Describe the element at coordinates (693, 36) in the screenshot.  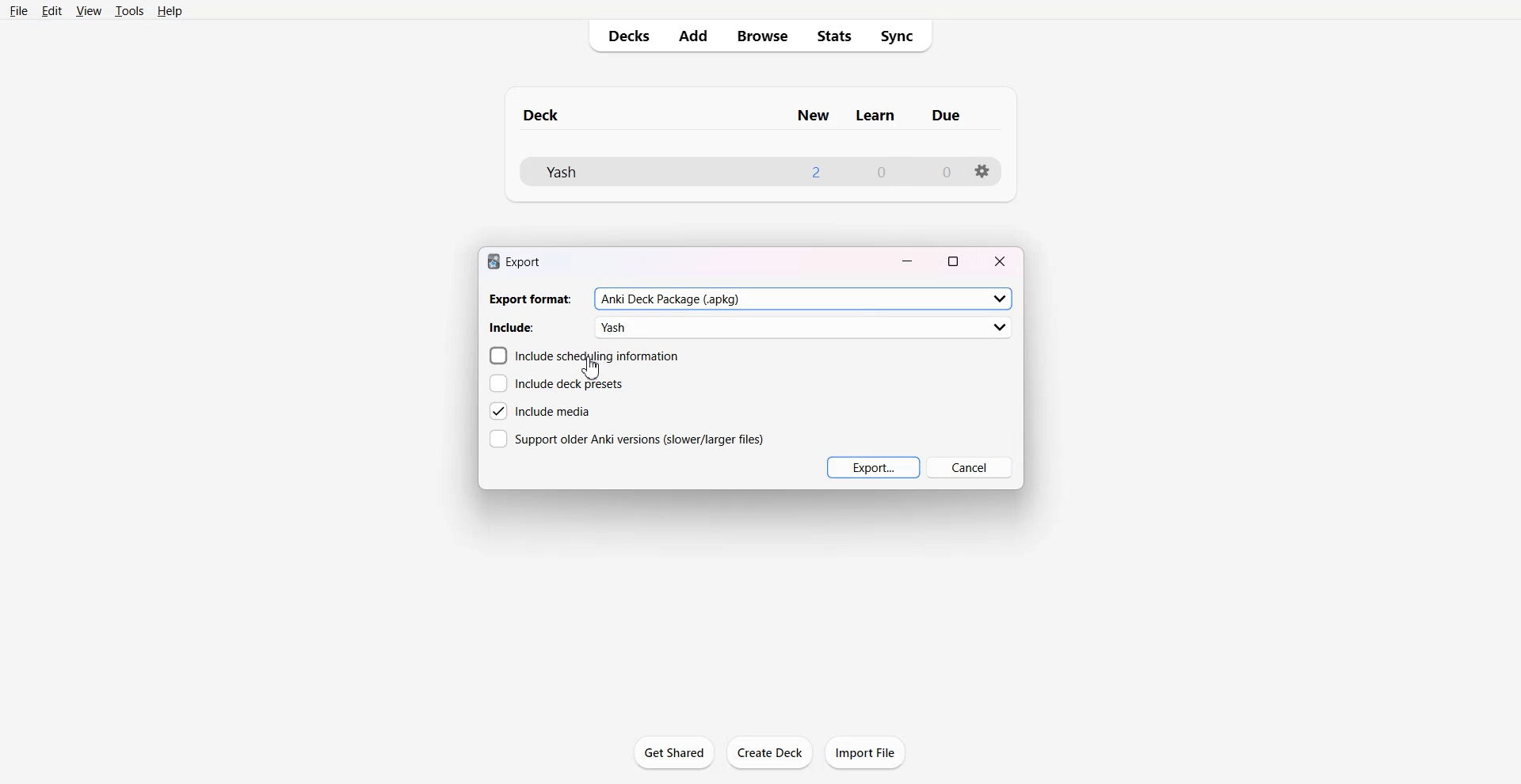
I see `Add` at that location.